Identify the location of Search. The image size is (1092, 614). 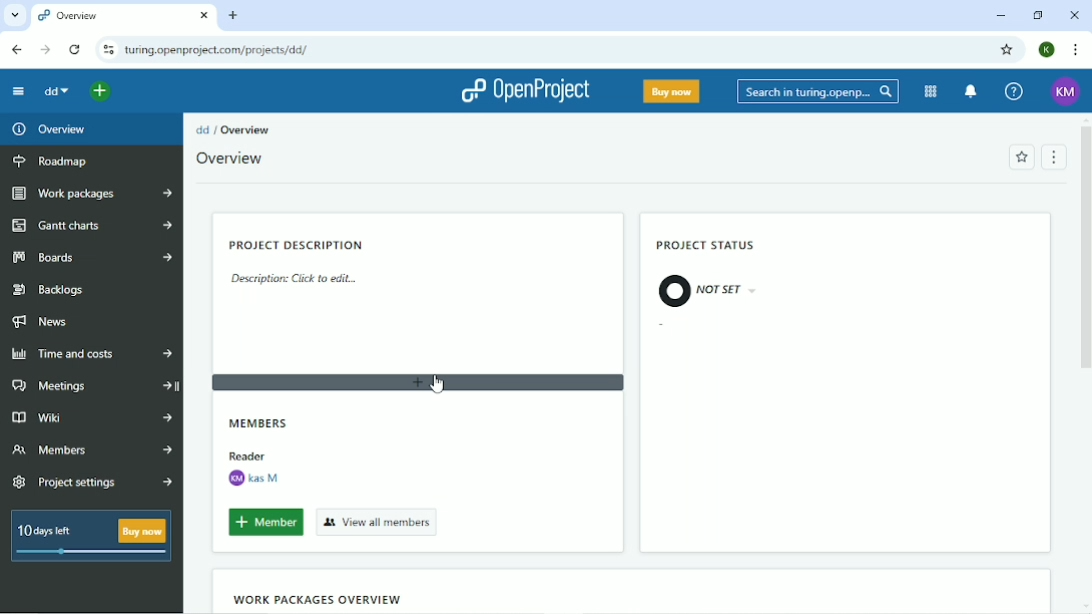
(816, 92).